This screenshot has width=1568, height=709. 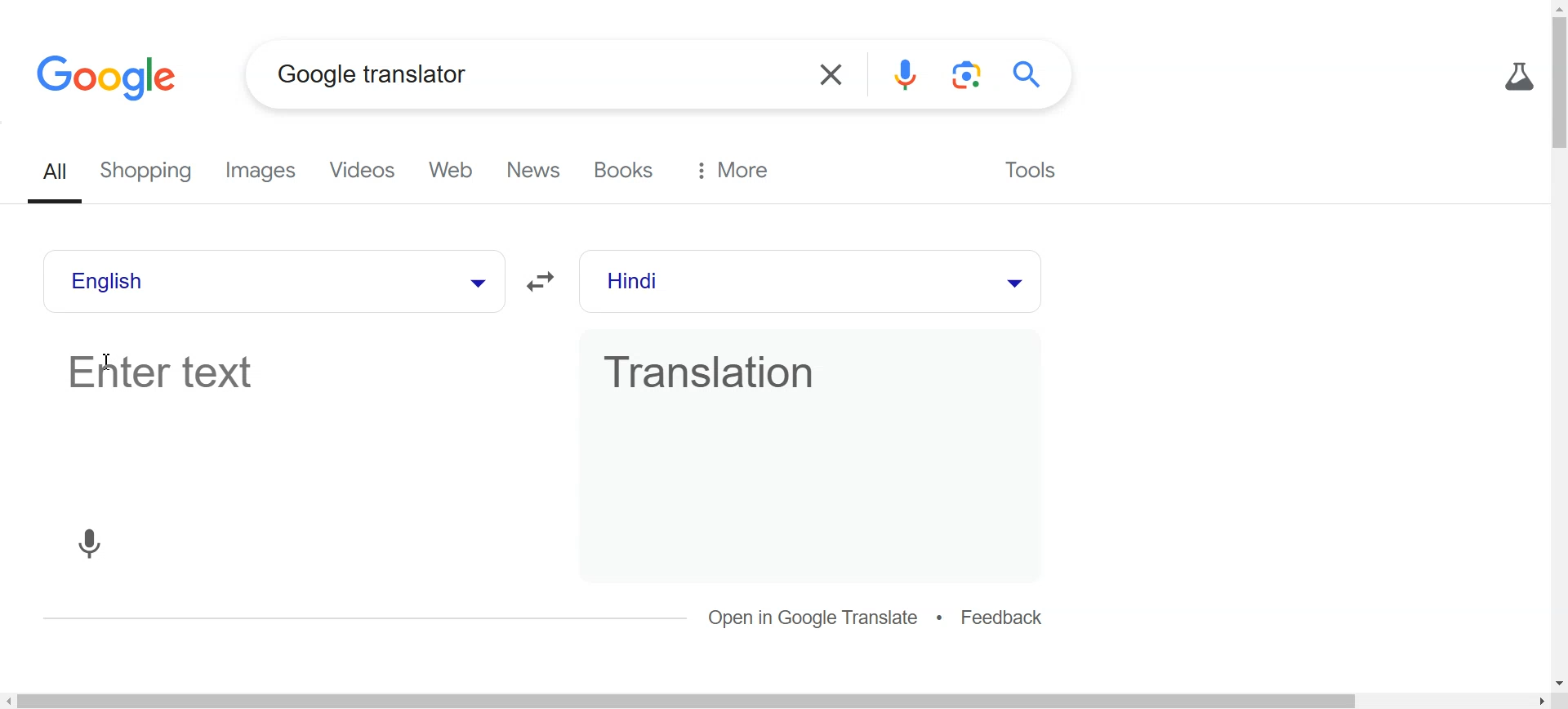 I want to click on Tools, so click(x=1027, y=167).